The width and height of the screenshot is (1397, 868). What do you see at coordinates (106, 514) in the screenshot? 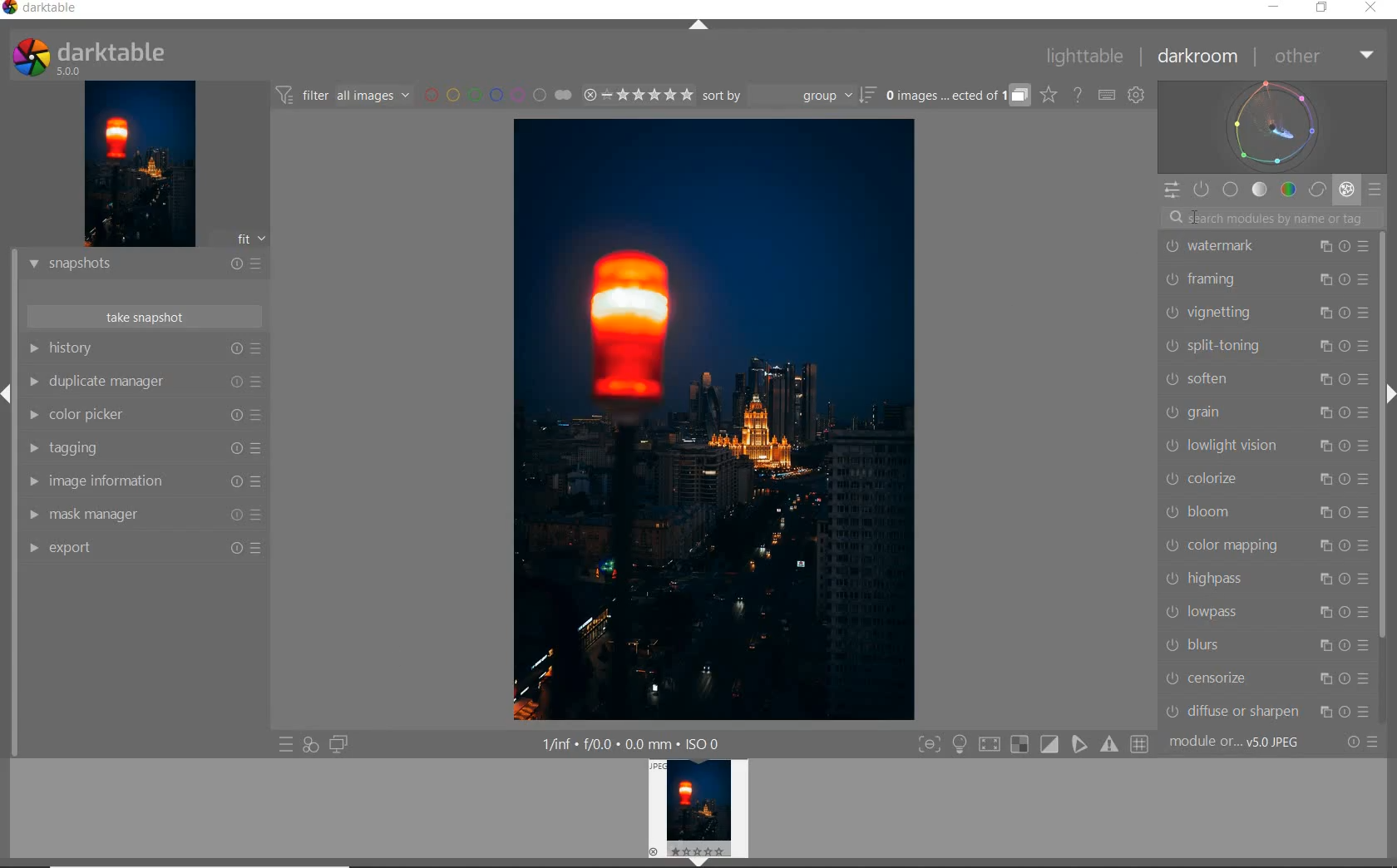
I see `MASK MANAGER` at bounding box center [106, 514].